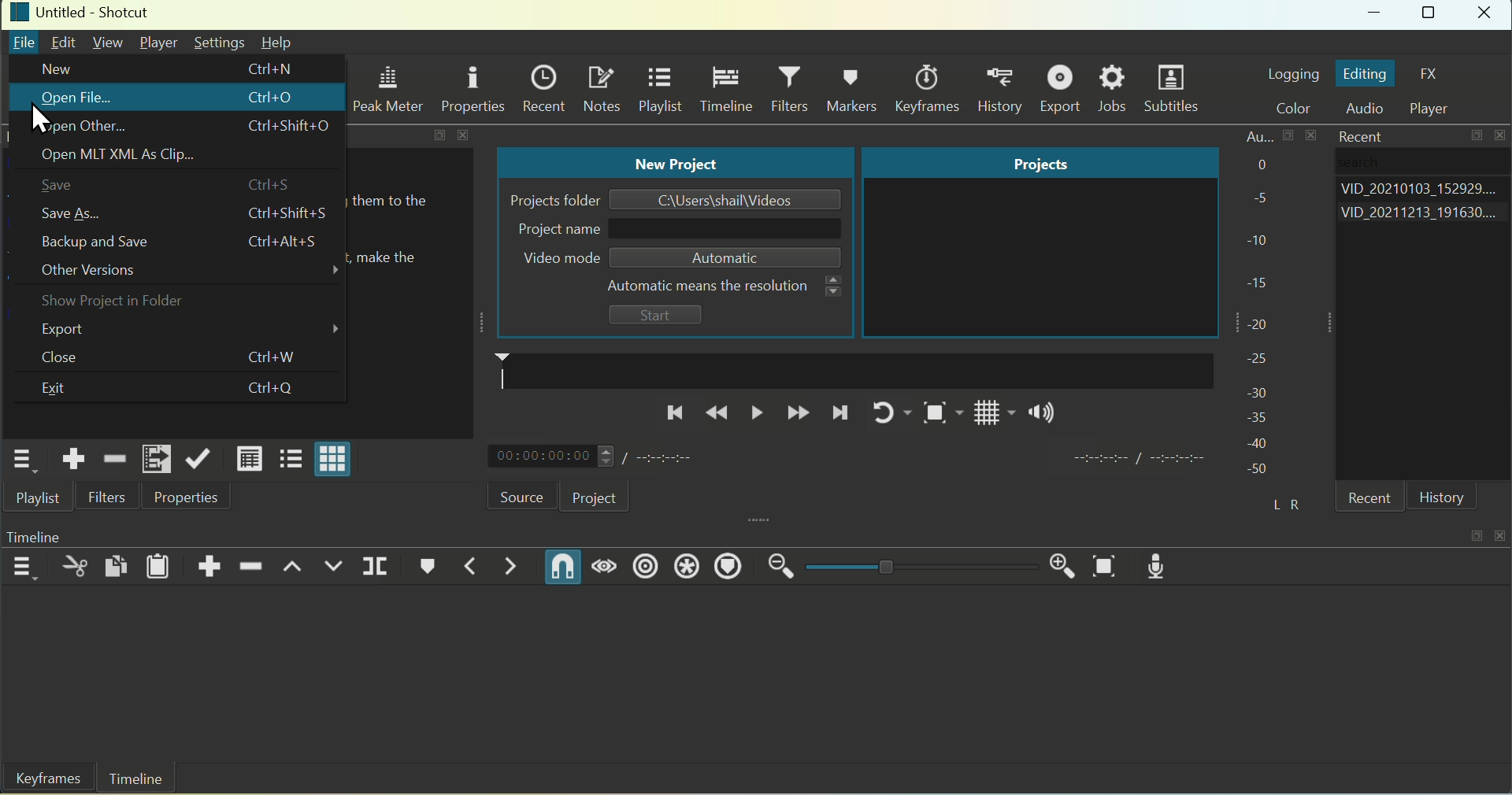  Describe the element at coordinates (1366, 74) in the screenshot. I see `Editing` at that location.